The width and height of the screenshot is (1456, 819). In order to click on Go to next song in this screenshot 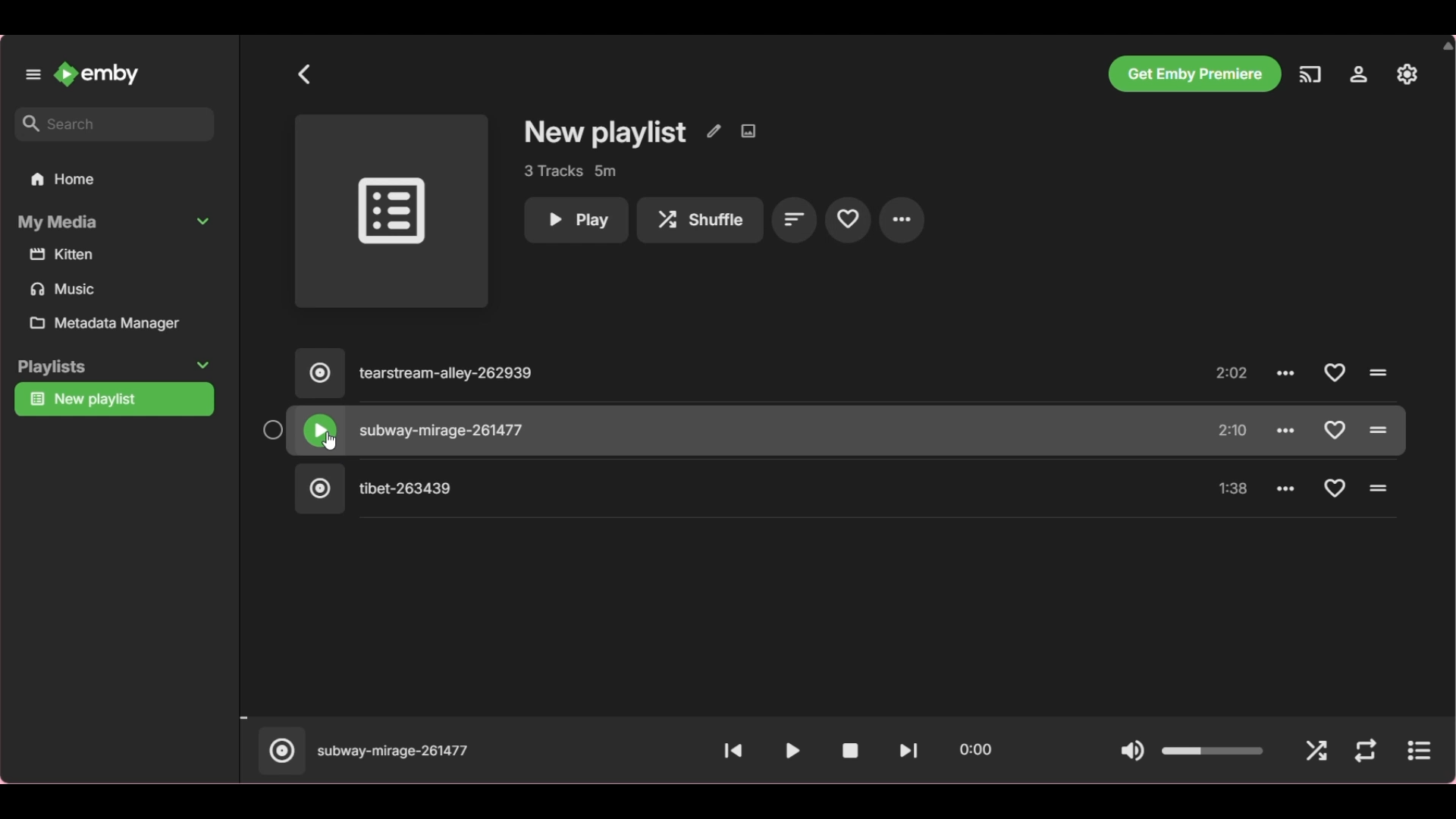, I will do `click(908, 751)`.